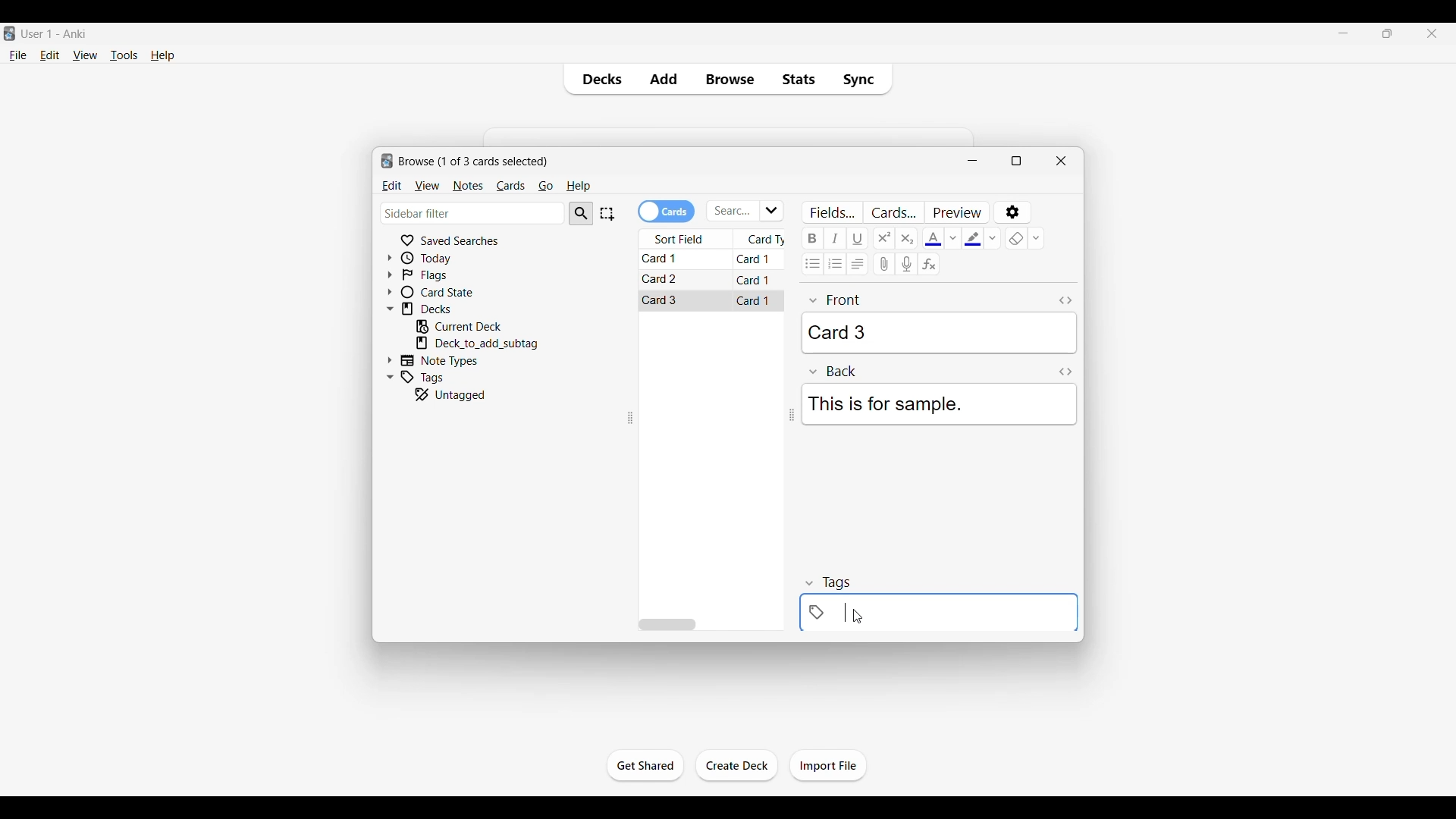 This screenshot has width=1456, height=819. I want to click on Card 1, so click(754, 279).